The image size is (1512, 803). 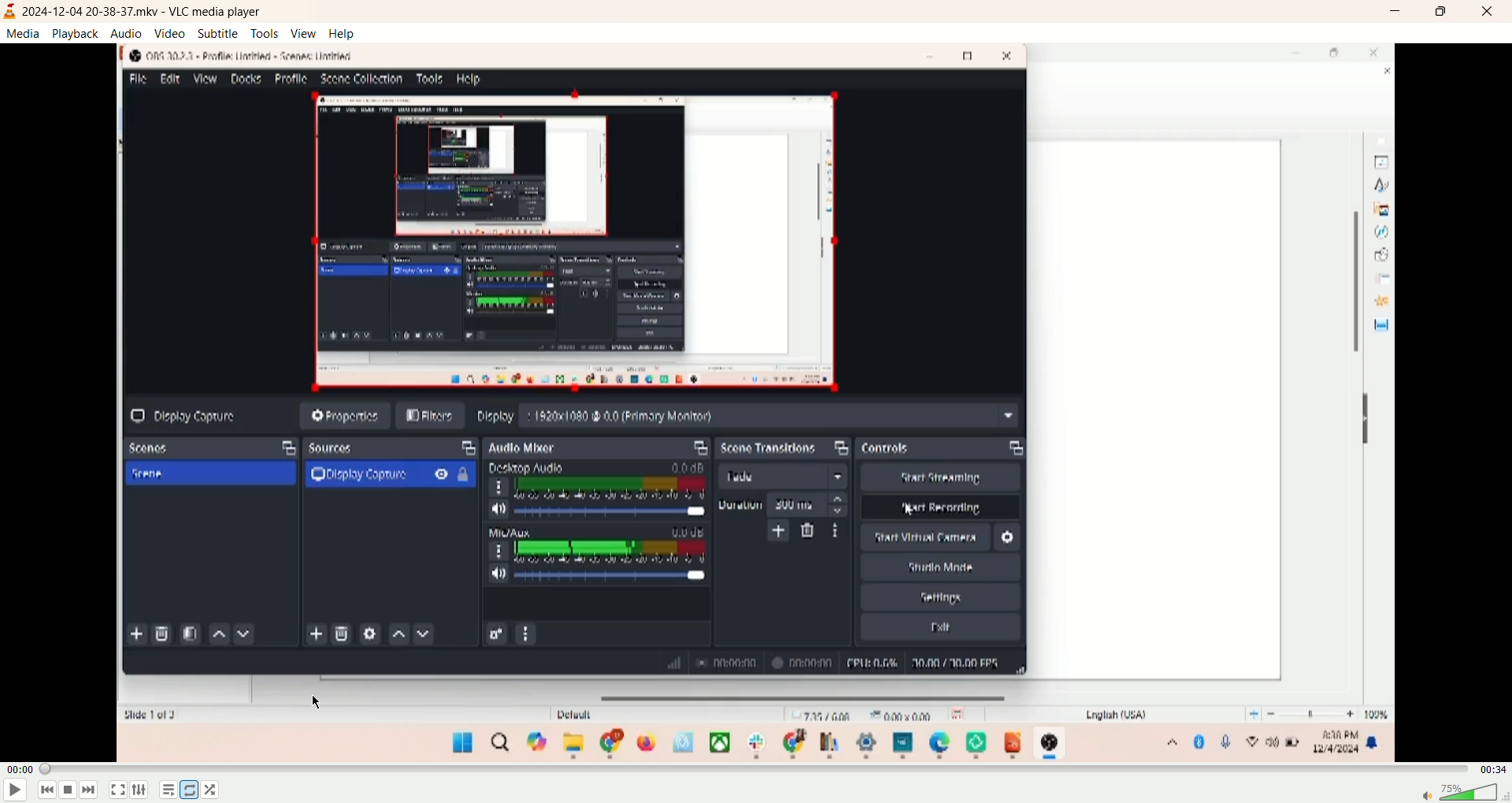 What do you see at coordinates (188, 790) in the screenshot?
I see `loop all` at bounding box center [188, 790].